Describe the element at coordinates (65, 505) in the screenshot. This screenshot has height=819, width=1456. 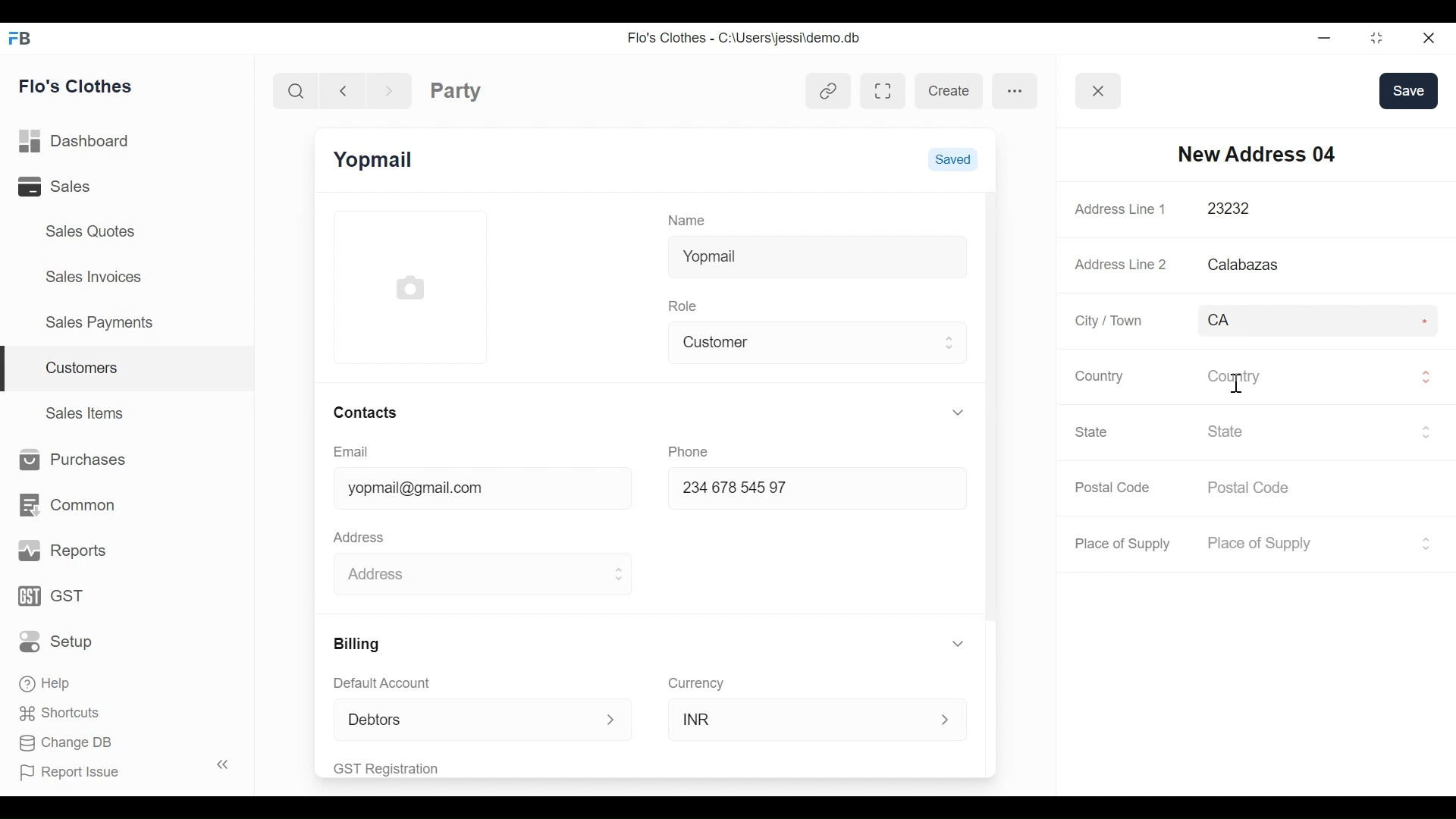
I see `Common` at that location.